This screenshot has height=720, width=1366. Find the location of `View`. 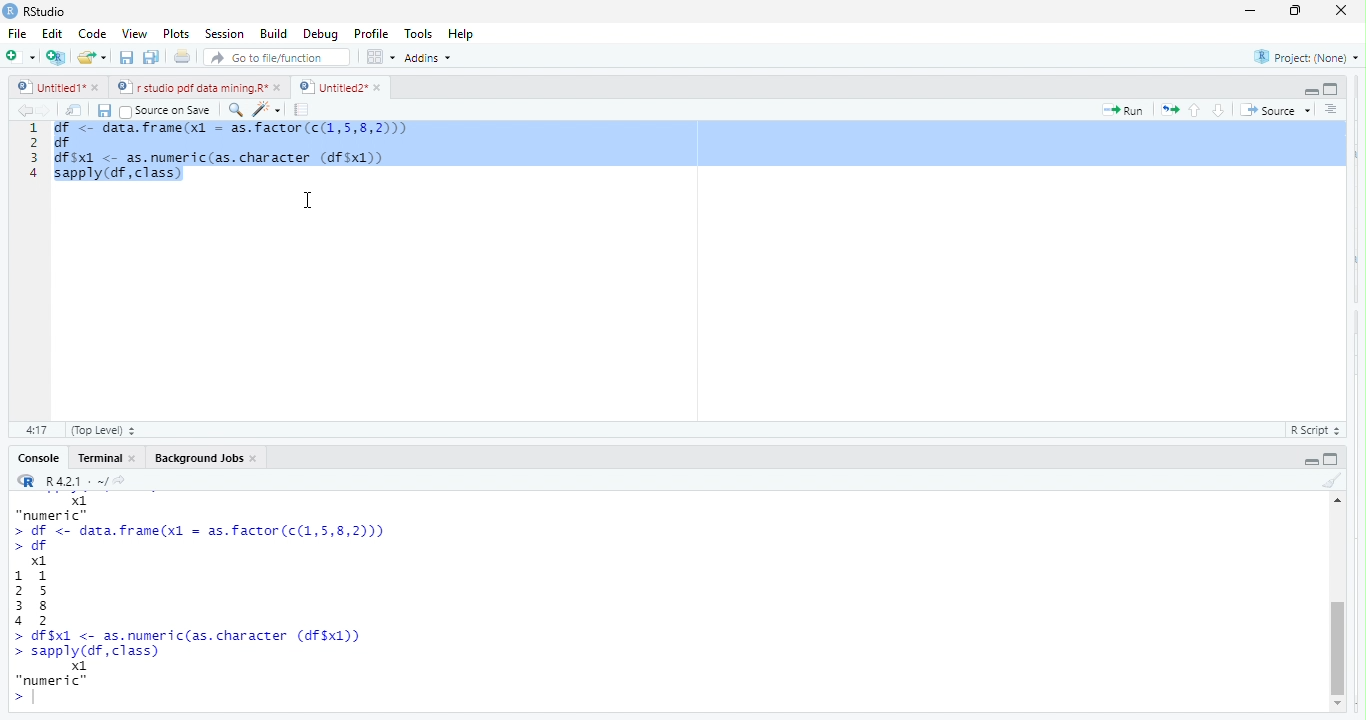

View is located at coordinates (135, 33).